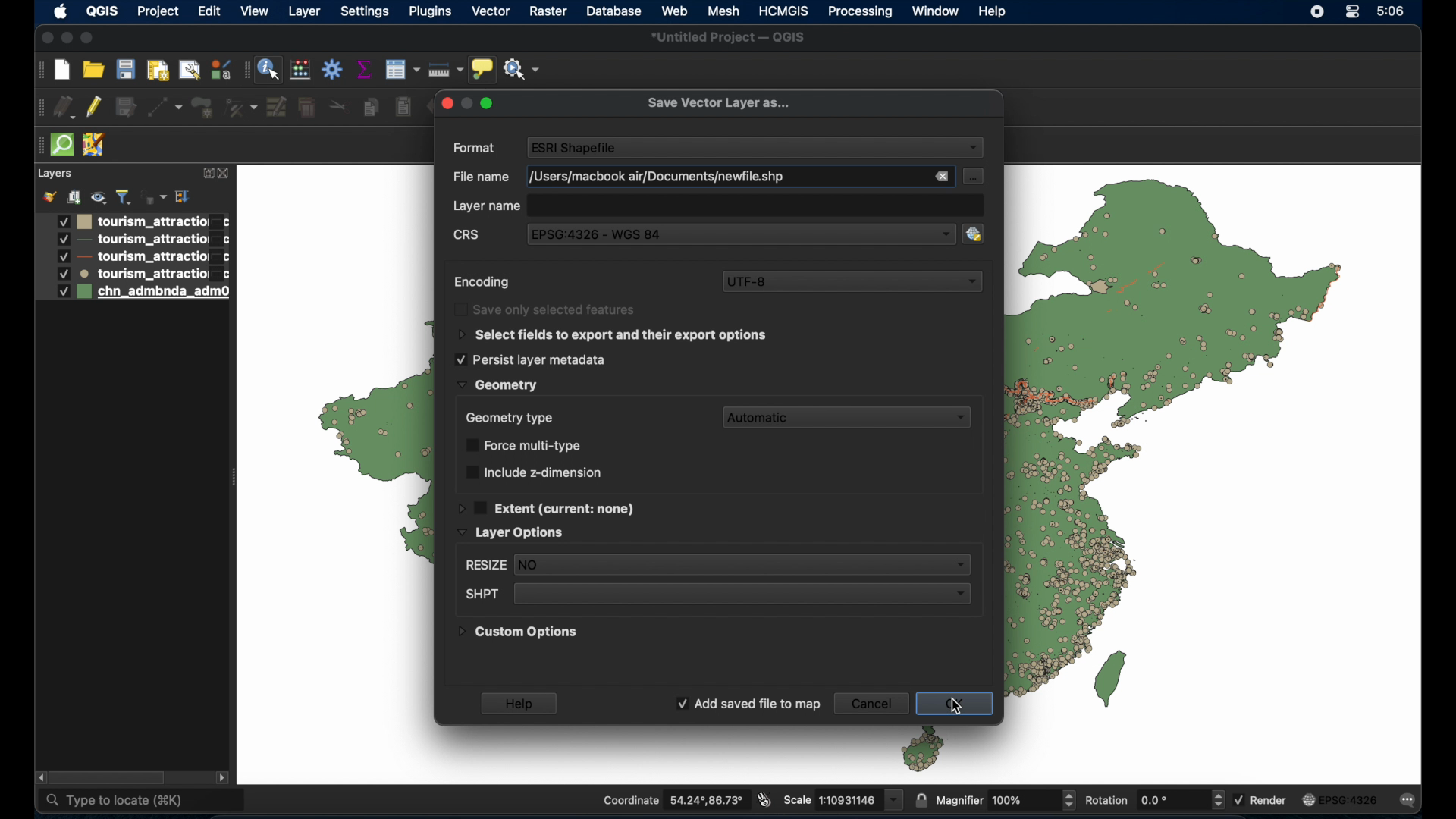  Describe the element at coordinates (364, 69) in the screenshot. I see `show staistical summary` at that location.